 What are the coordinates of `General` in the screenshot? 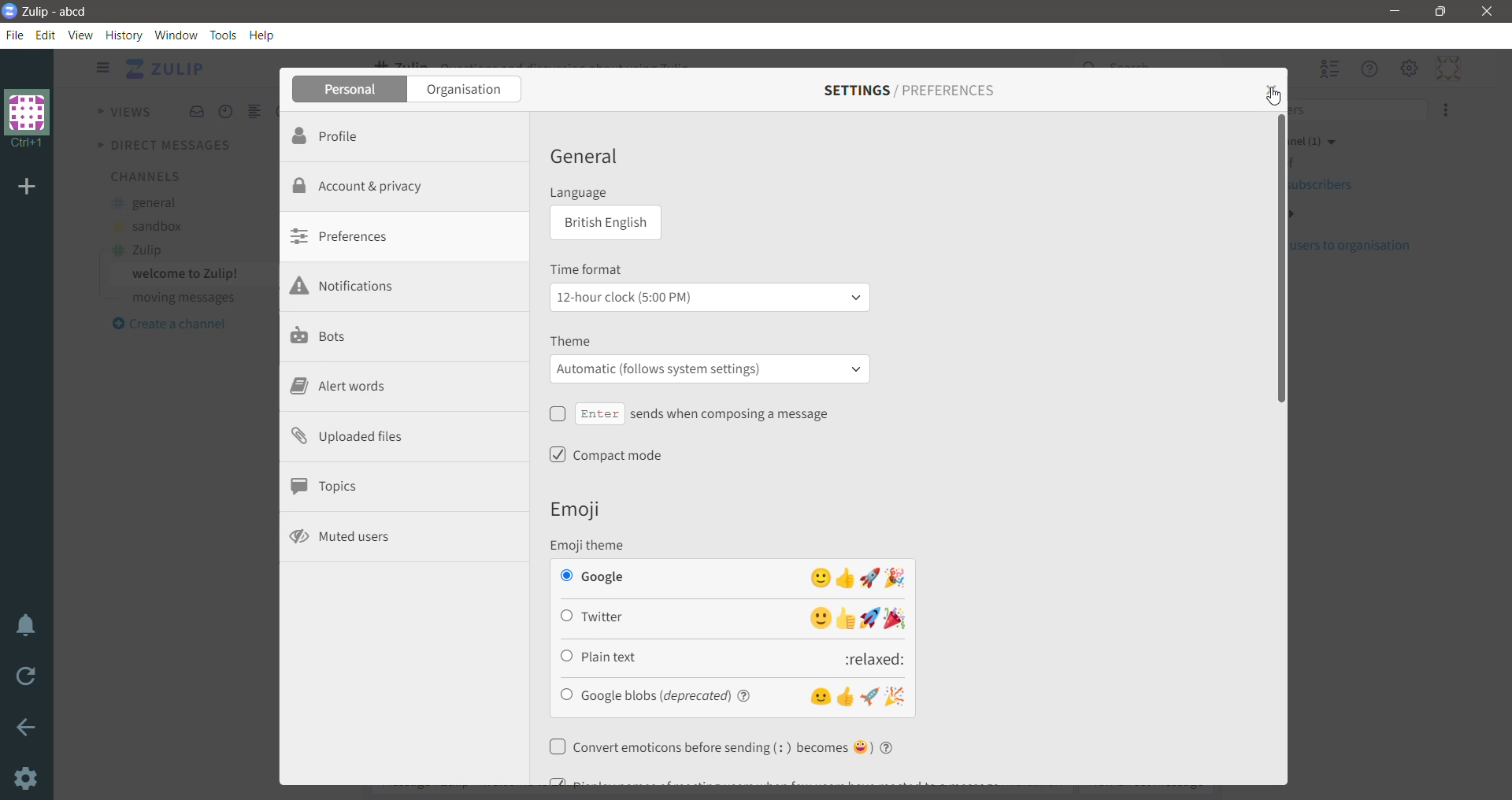 It's located at (594, 159).